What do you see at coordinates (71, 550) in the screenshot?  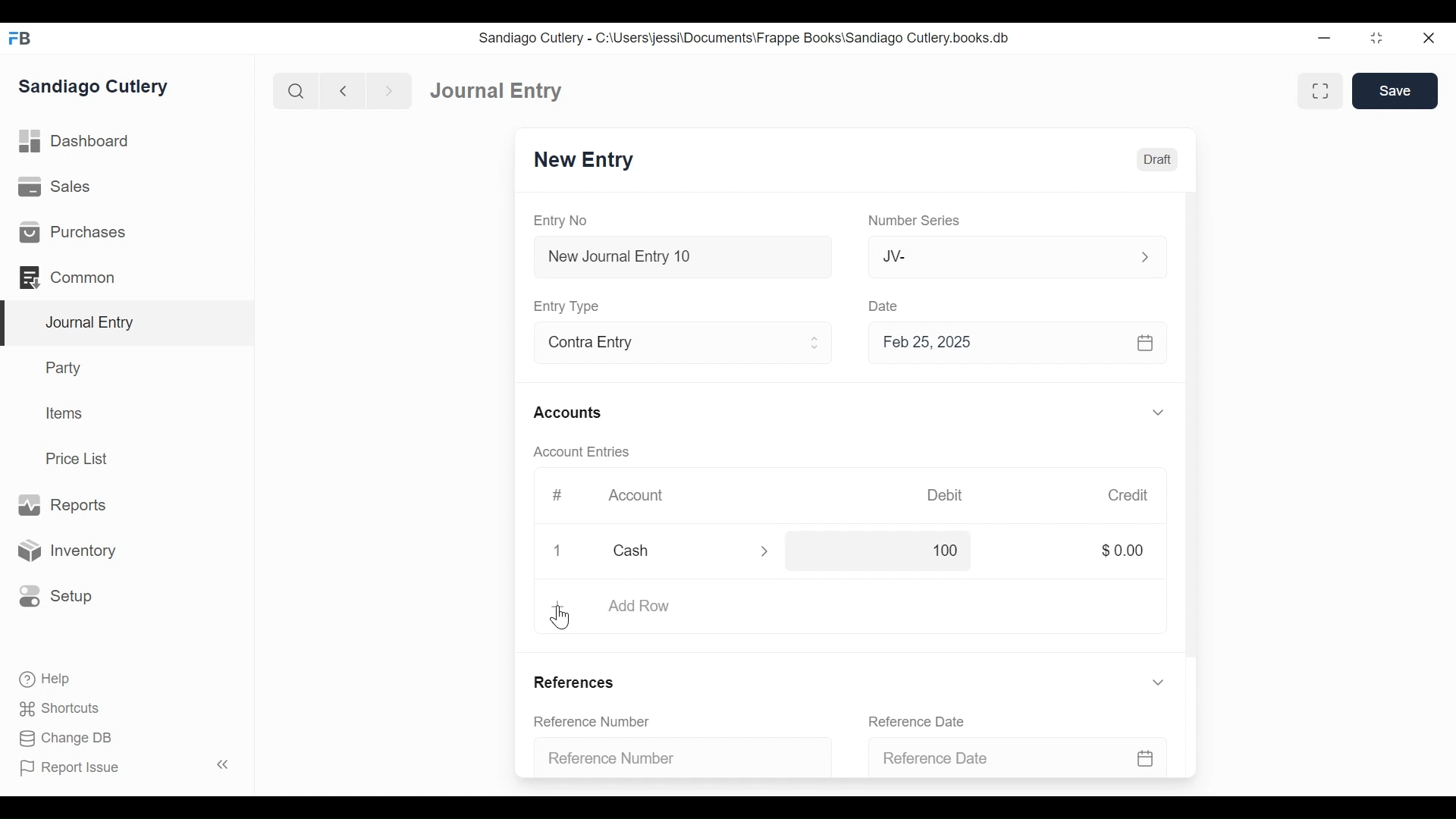 I see `Inventory` at bounding box center [71, 550].